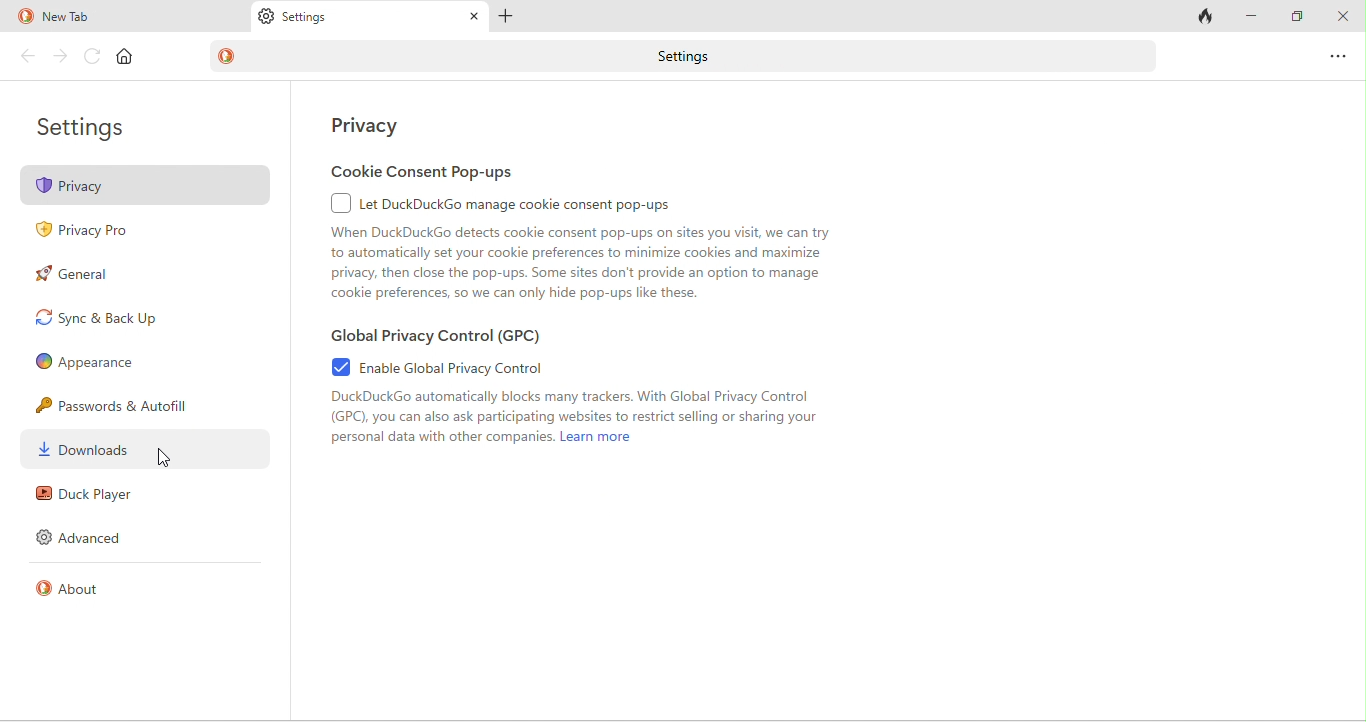 The image size is (1366, 722). What do you see at coordinates (386, 127) in the screenshot?
I see `privacy` at bounding box center [386, 127].